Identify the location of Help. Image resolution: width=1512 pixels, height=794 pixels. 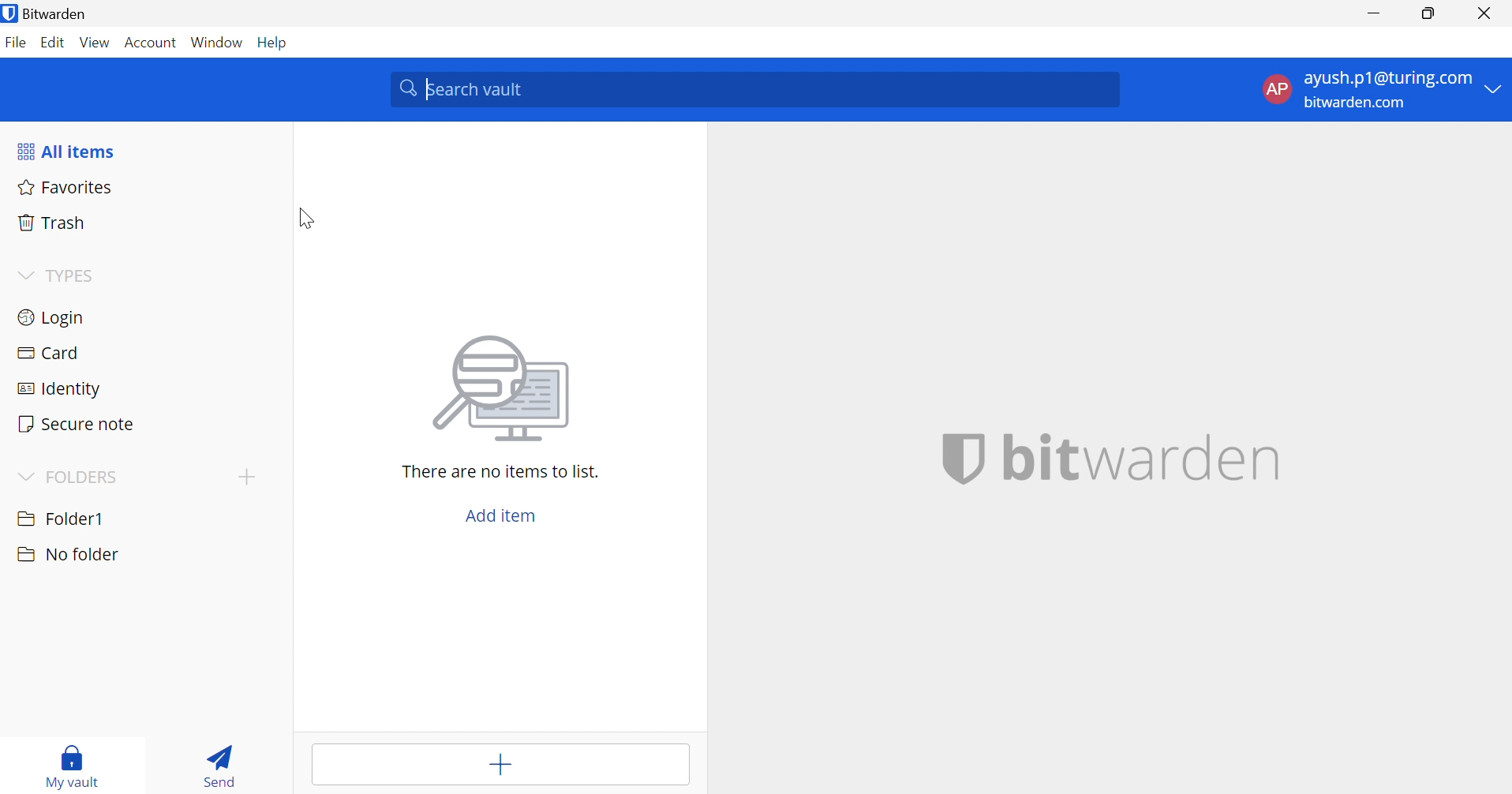
(276, 43).